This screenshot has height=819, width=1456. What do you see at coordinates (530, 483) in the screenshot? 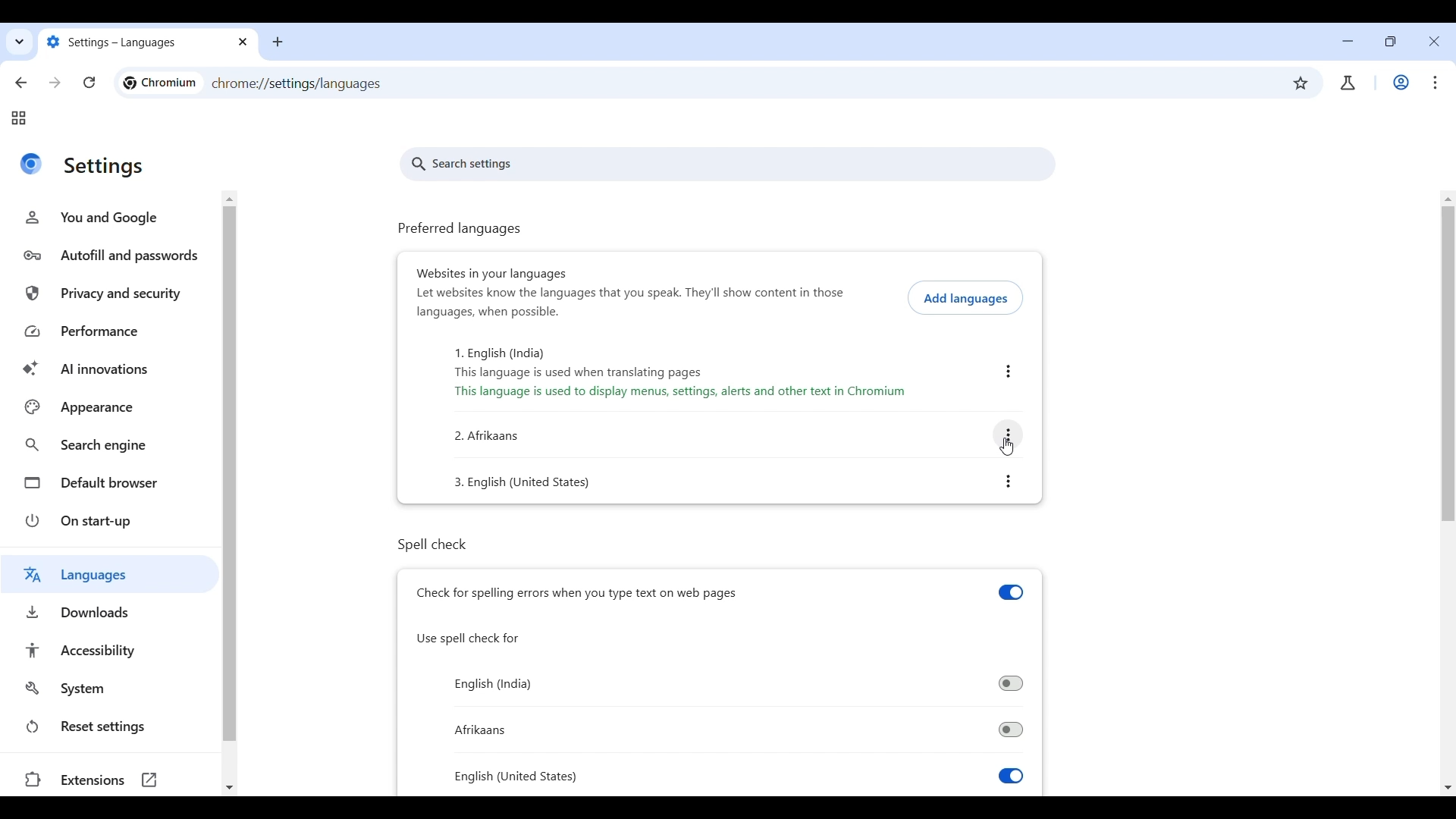
I see `numbered list: text` at bounding box center [530, 483].